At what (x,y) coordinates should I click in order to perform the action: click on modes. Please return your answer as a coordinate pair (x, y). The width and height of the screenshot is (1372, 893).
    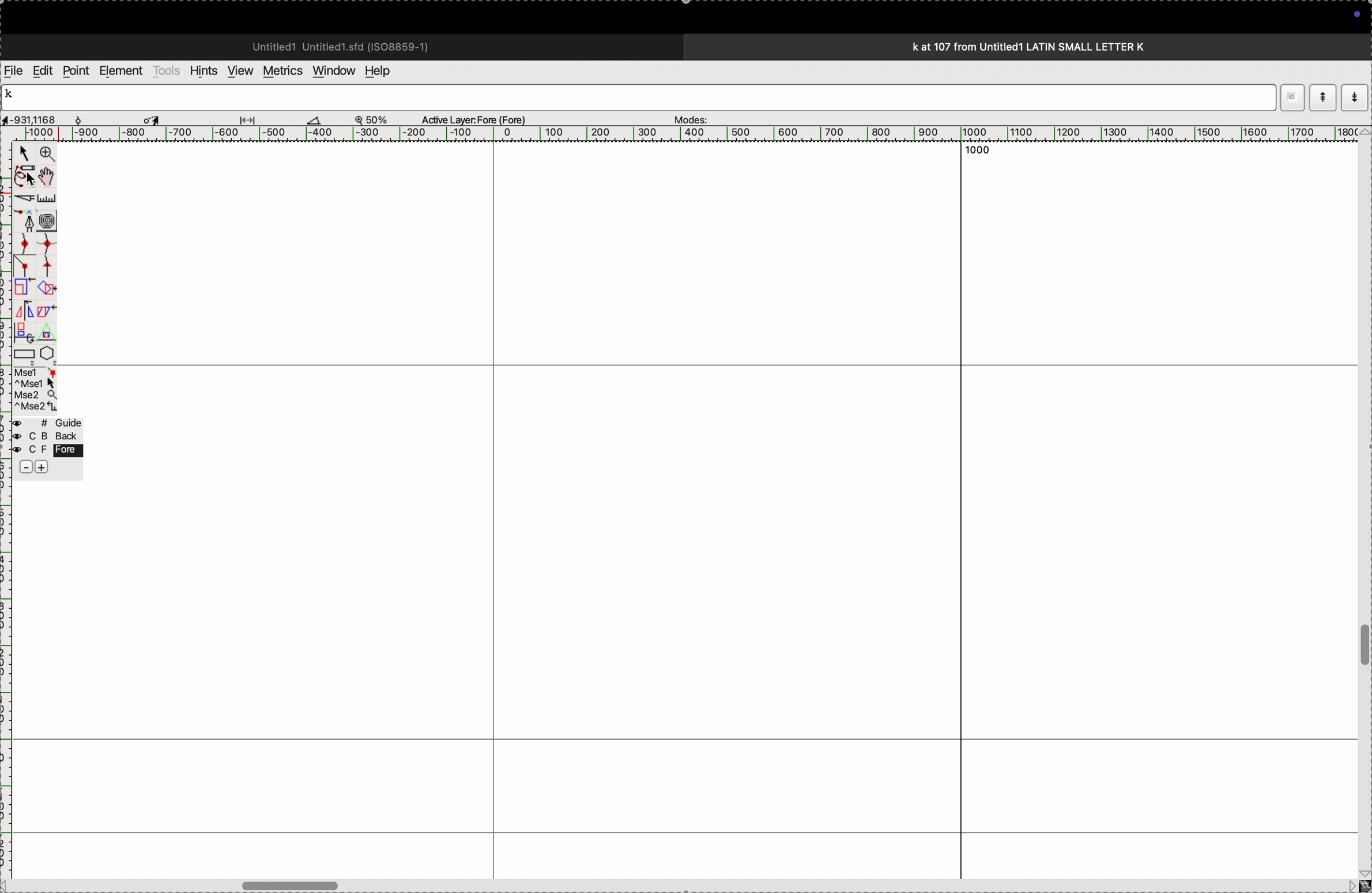
    Looking at the image, I should click on (687, 116).